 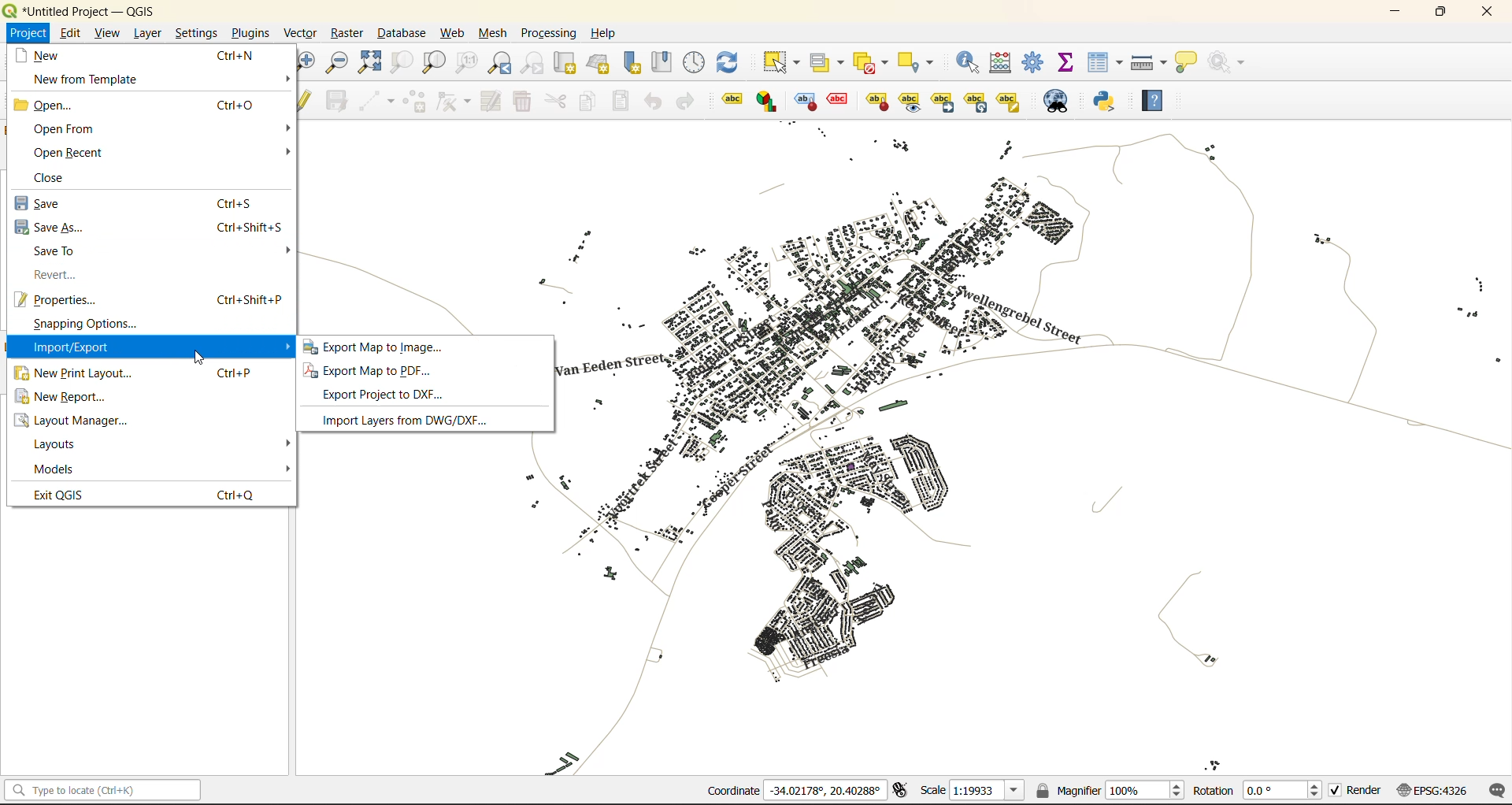 What do you see at coordinates (619, 101) in the screenshot?
I see `paste` at bounding box center [619, 101].